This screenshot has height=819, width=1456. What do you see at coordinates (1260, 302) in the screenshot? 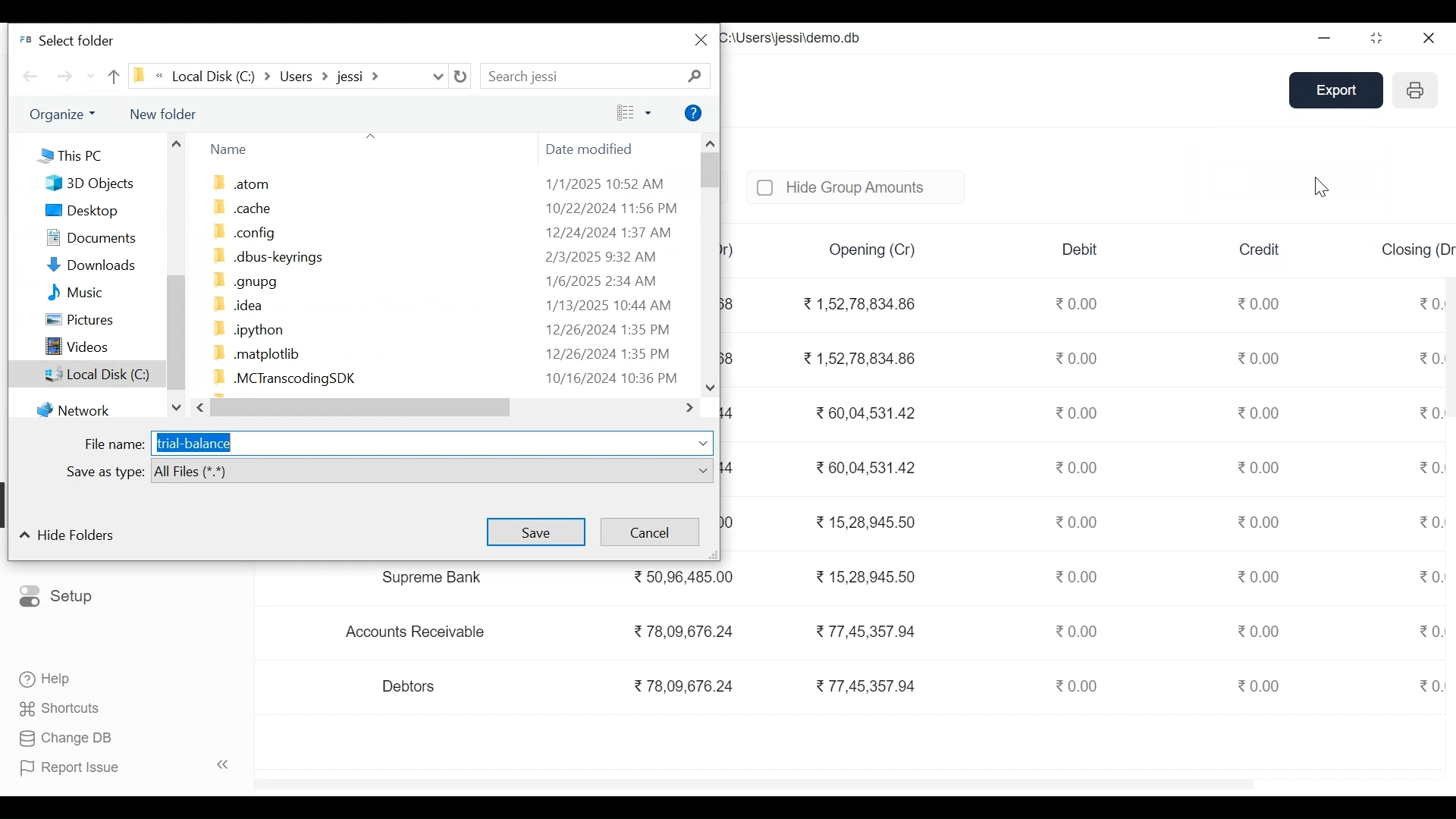
I see `0.00` at bounding box center [1260, 302].